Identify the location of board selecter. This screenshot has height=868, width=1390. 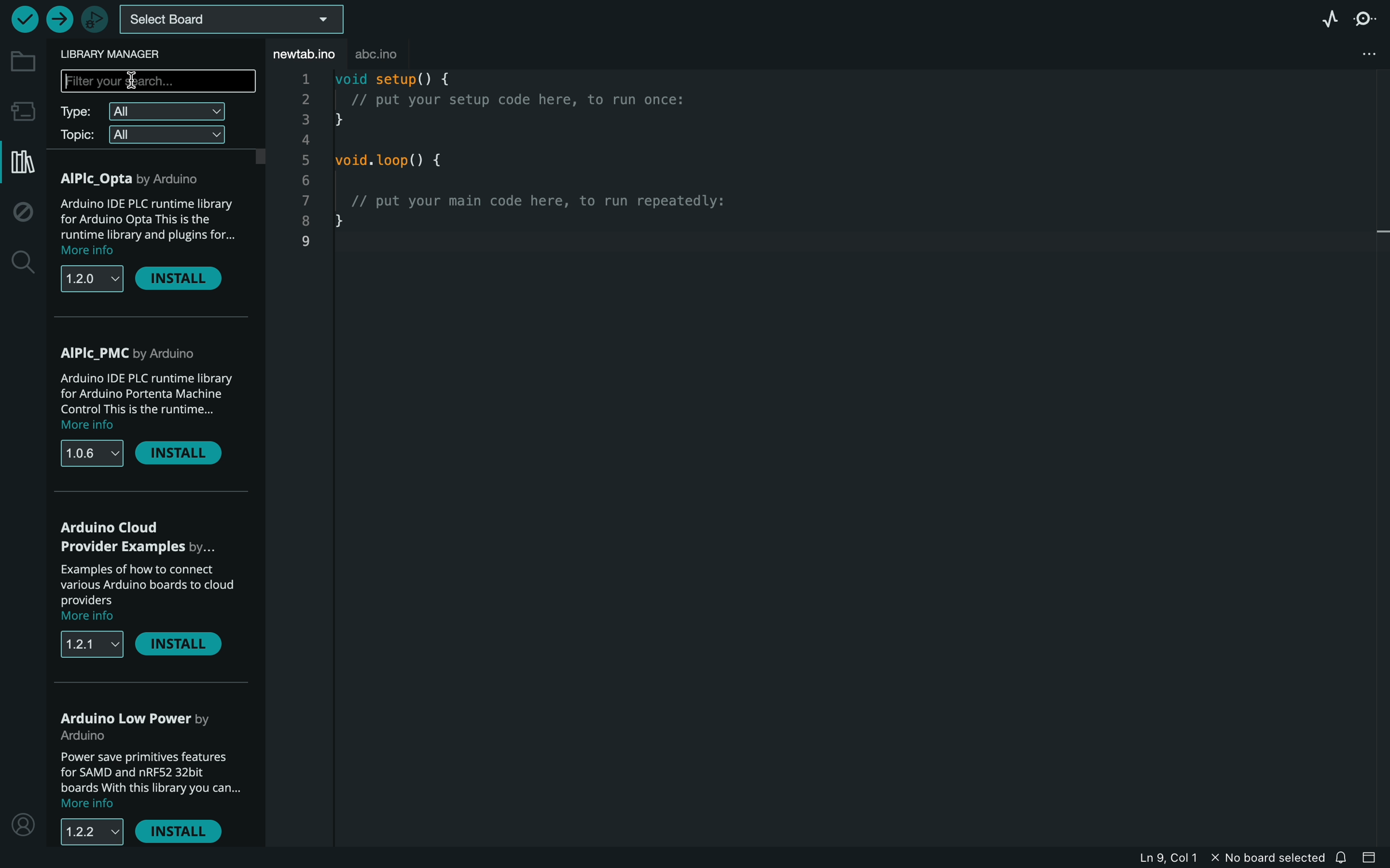
(231, 21).